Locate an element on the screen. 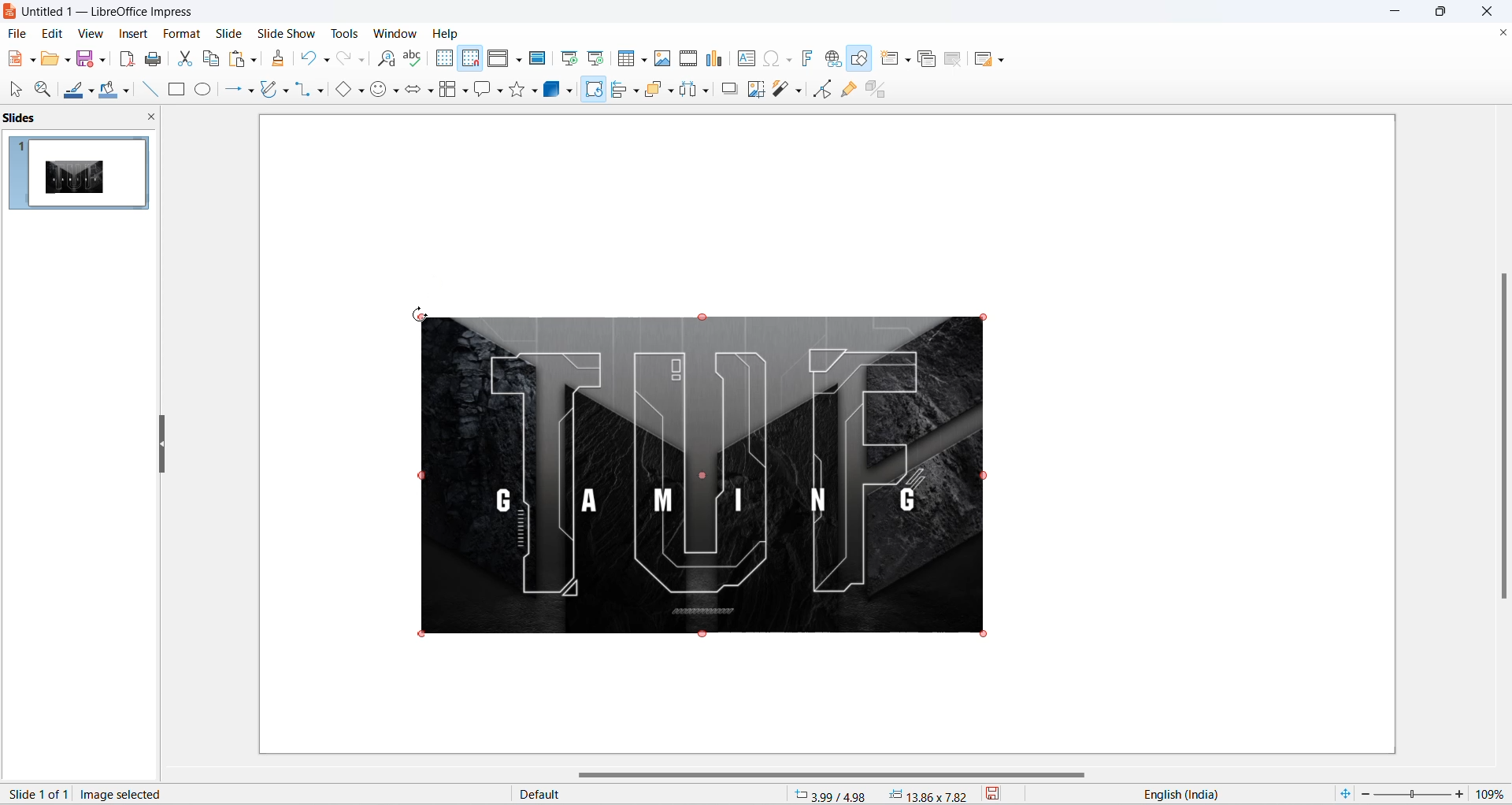  line is located at coordinates (146, 89).